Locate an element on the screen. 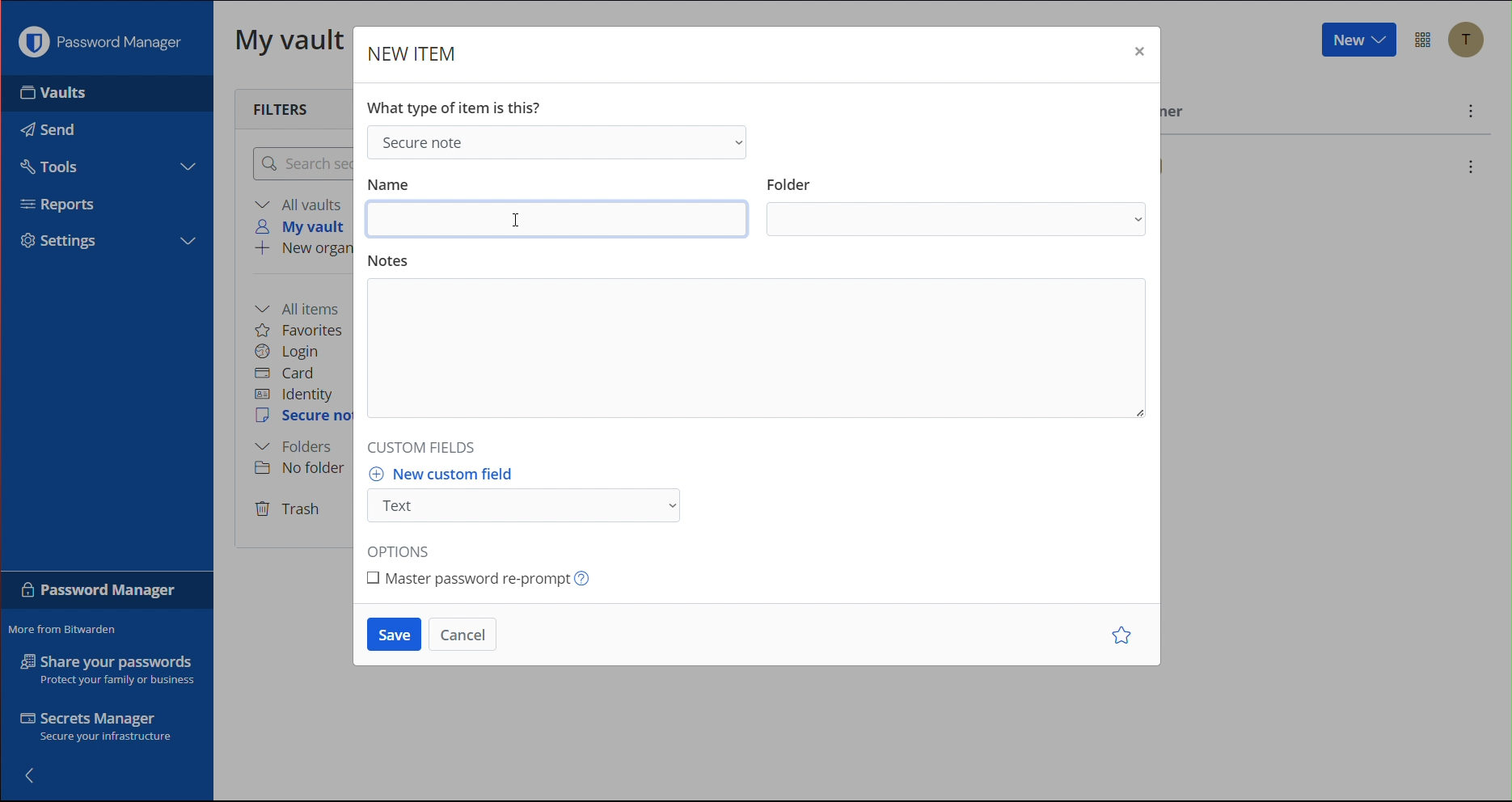  Search secure notes is located at coordinates (300, 163).